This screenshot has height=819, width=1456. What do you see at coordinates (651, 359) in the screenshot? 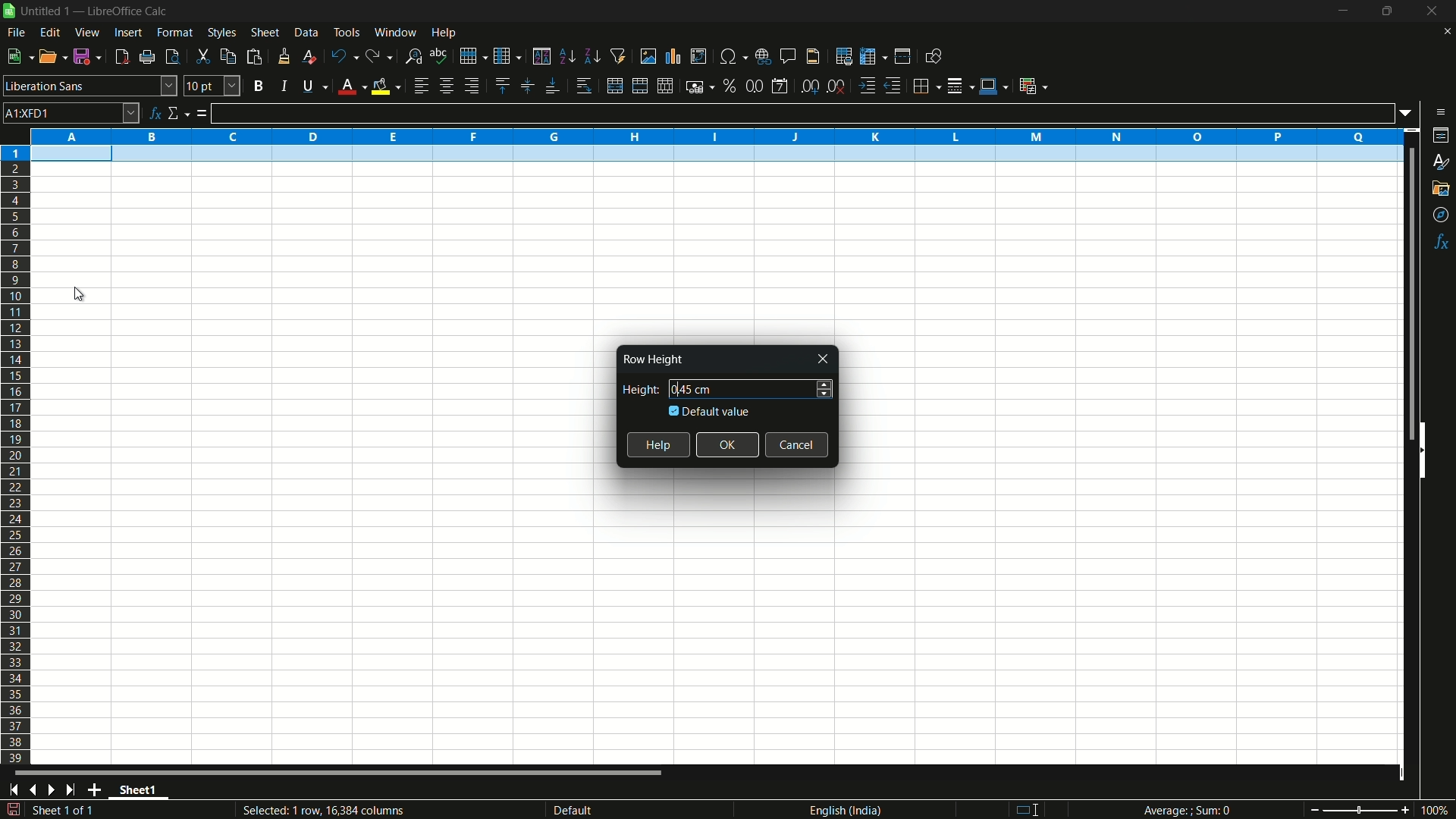
I see `Row Height` at bounding box center [651, 359].